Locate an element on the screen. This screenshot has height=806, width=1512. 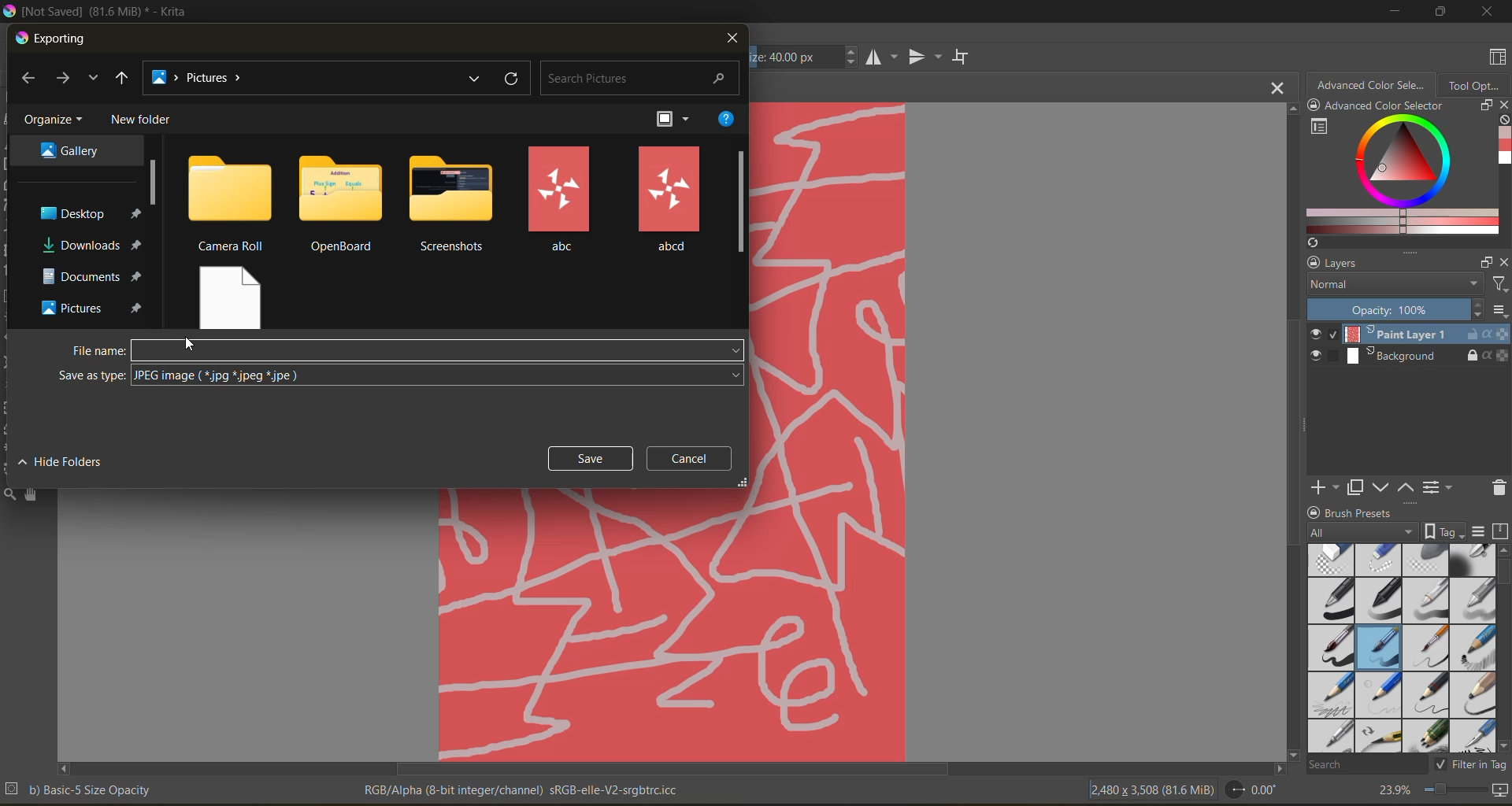
horizontal scroll bar is located at coordinates (671, 769).